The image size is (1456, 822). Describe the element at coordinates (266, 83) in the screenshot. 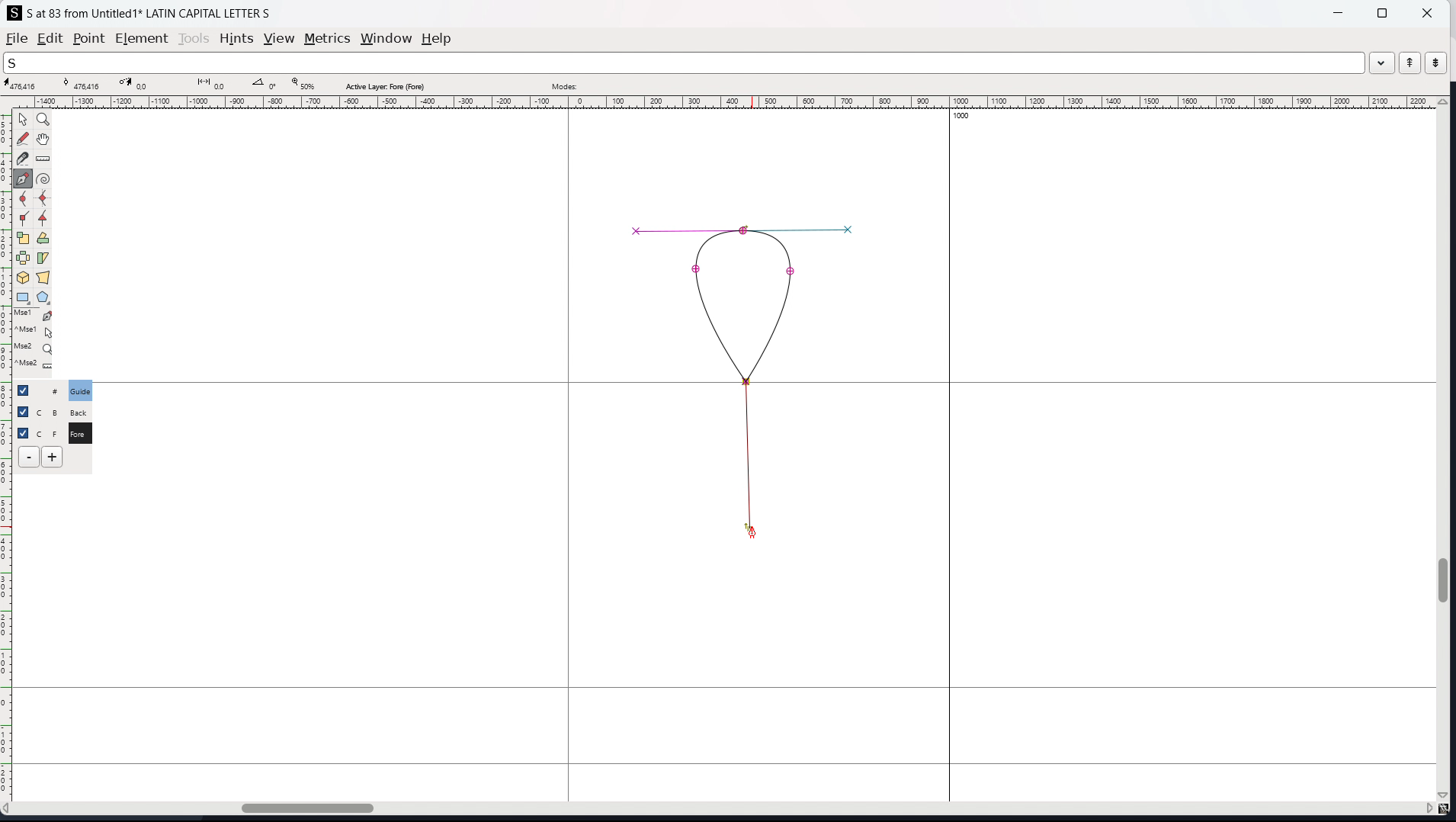

I see `angle between points` at that location.